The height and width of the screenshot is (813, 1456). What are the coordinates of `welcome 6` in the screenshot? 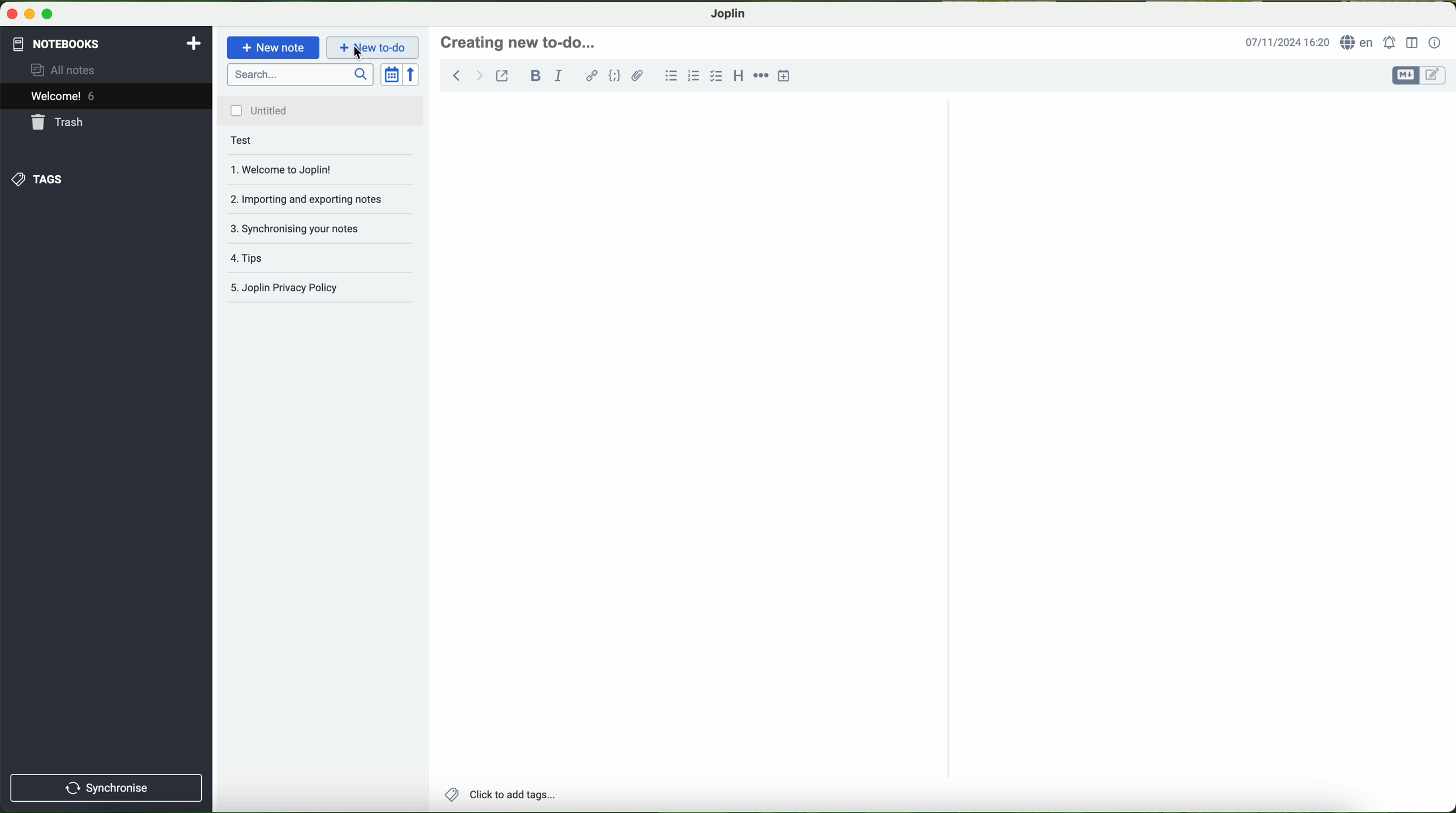 It's located at (64, 97).